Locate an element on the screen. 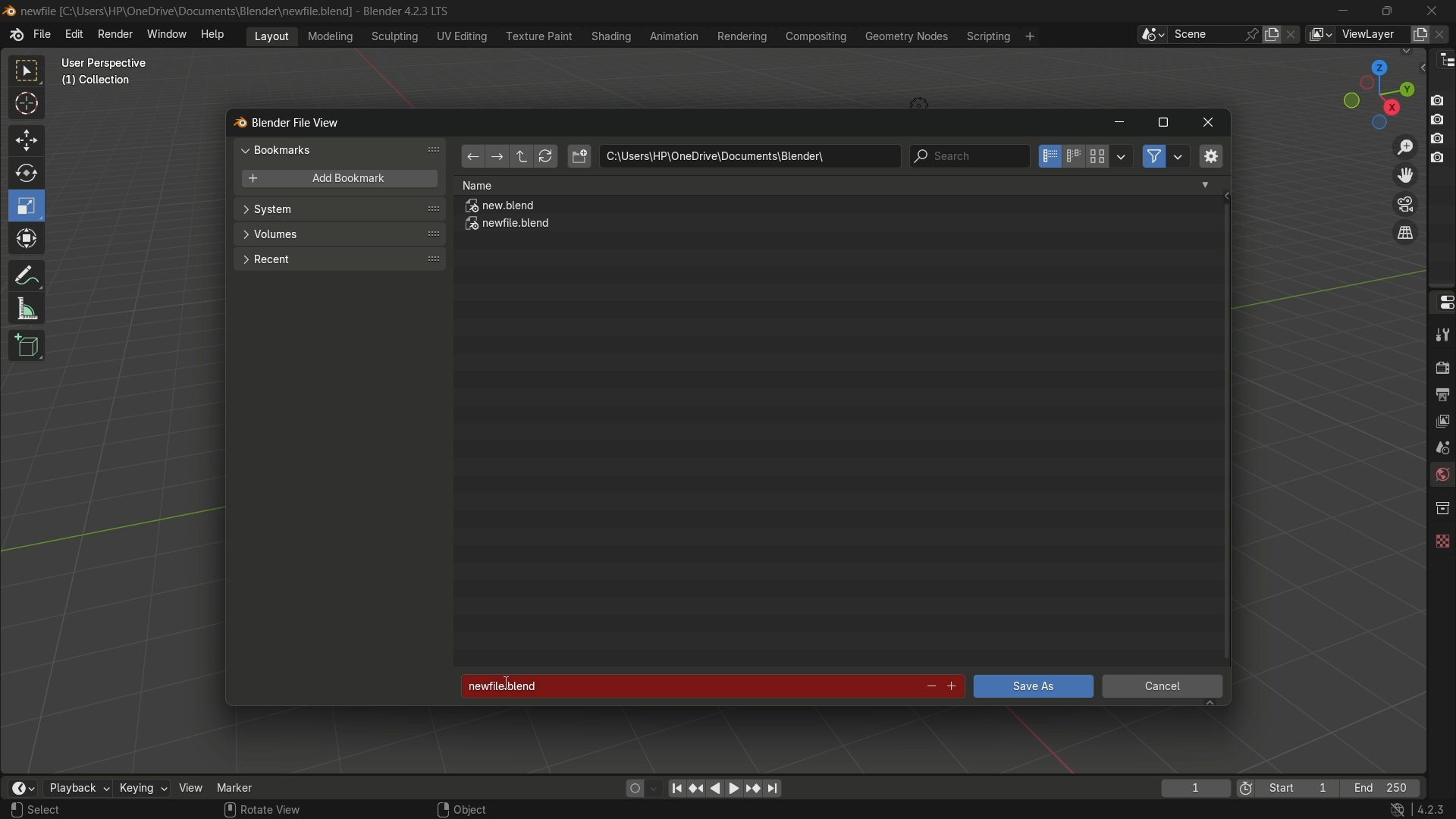 Image resolution: width=1456 pixels, height=819 pixels. transform is located at coordinates (28, 240).